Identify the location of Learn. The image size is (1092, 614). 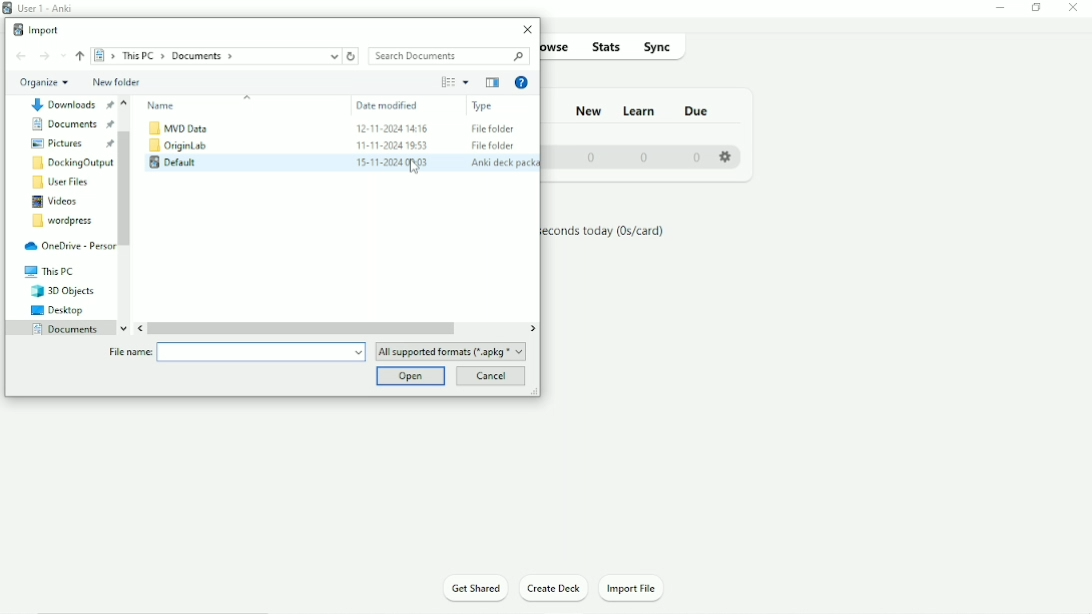
(641, 111).